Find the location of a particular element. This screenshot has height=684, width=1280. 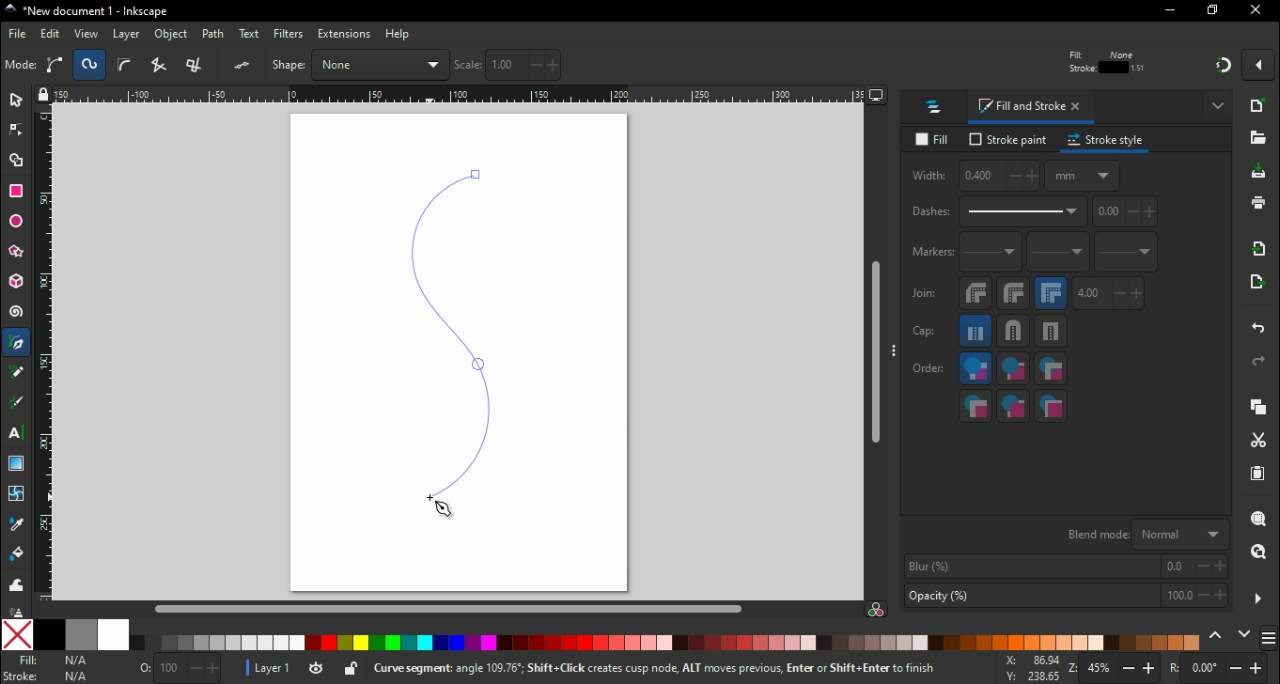

max length of miter is located at coordinates (1110, 297).